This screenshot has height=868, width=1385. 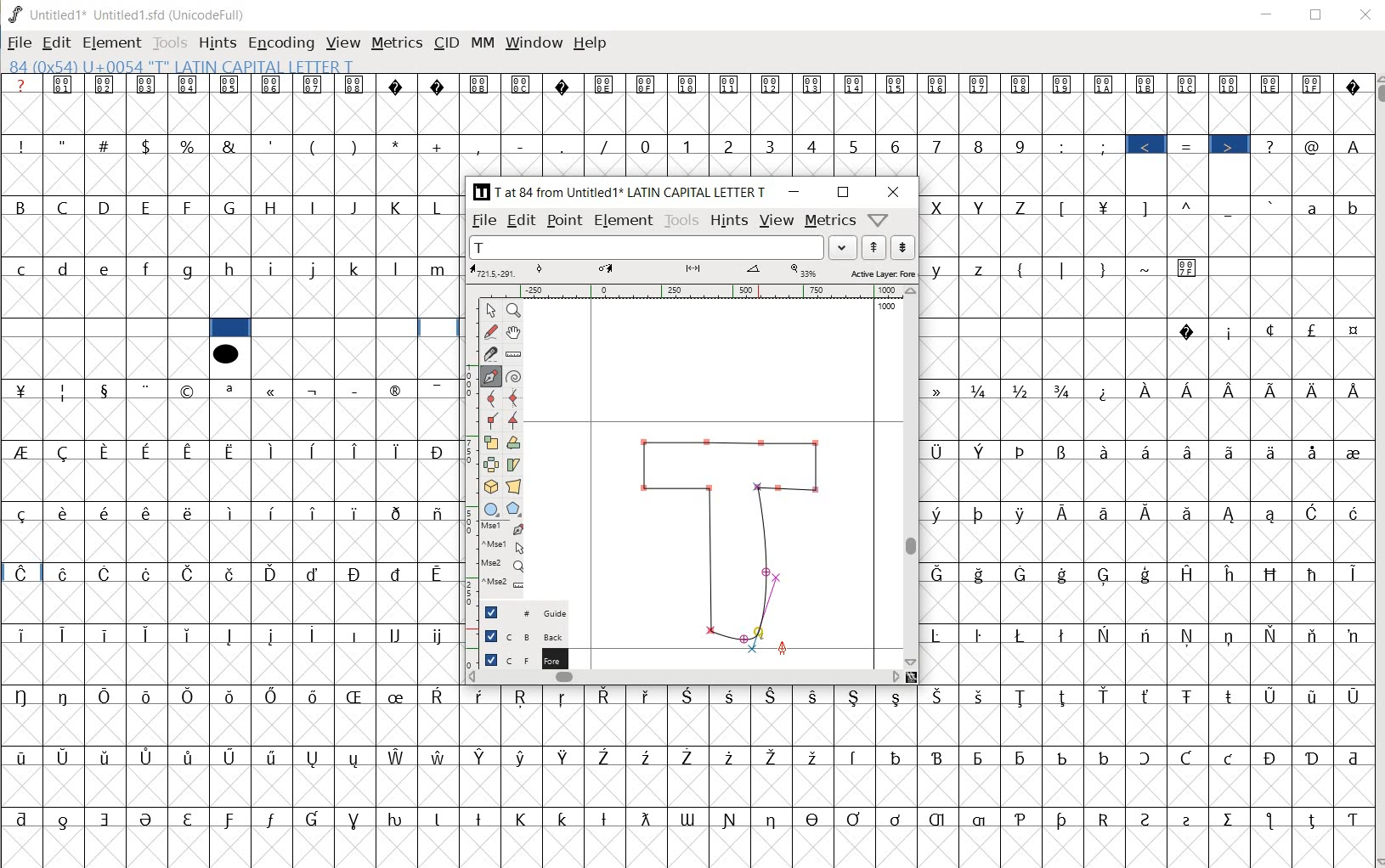 What do you see at coordinates (189, 511) in the screenshot?
I see `Symbol` at bounding box center [189, 511].